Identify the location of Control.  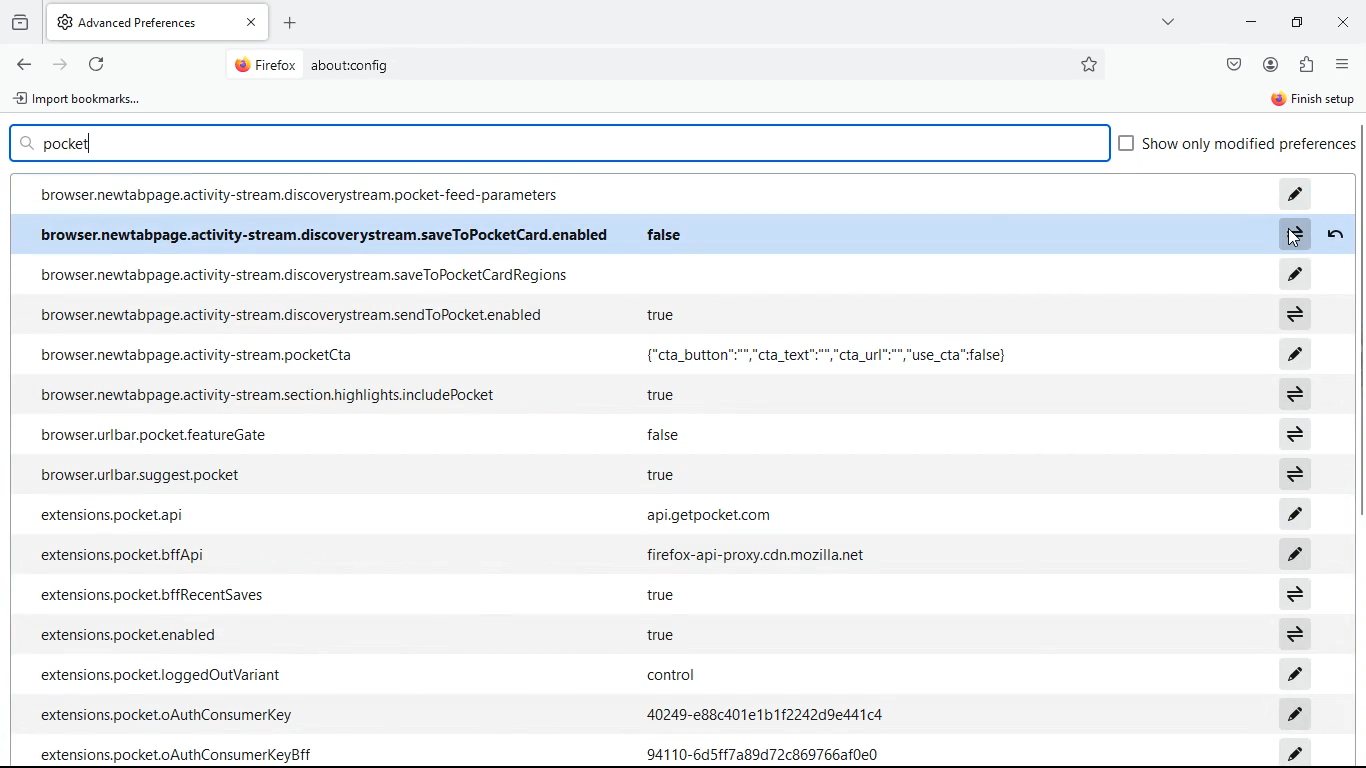
(680, 673).